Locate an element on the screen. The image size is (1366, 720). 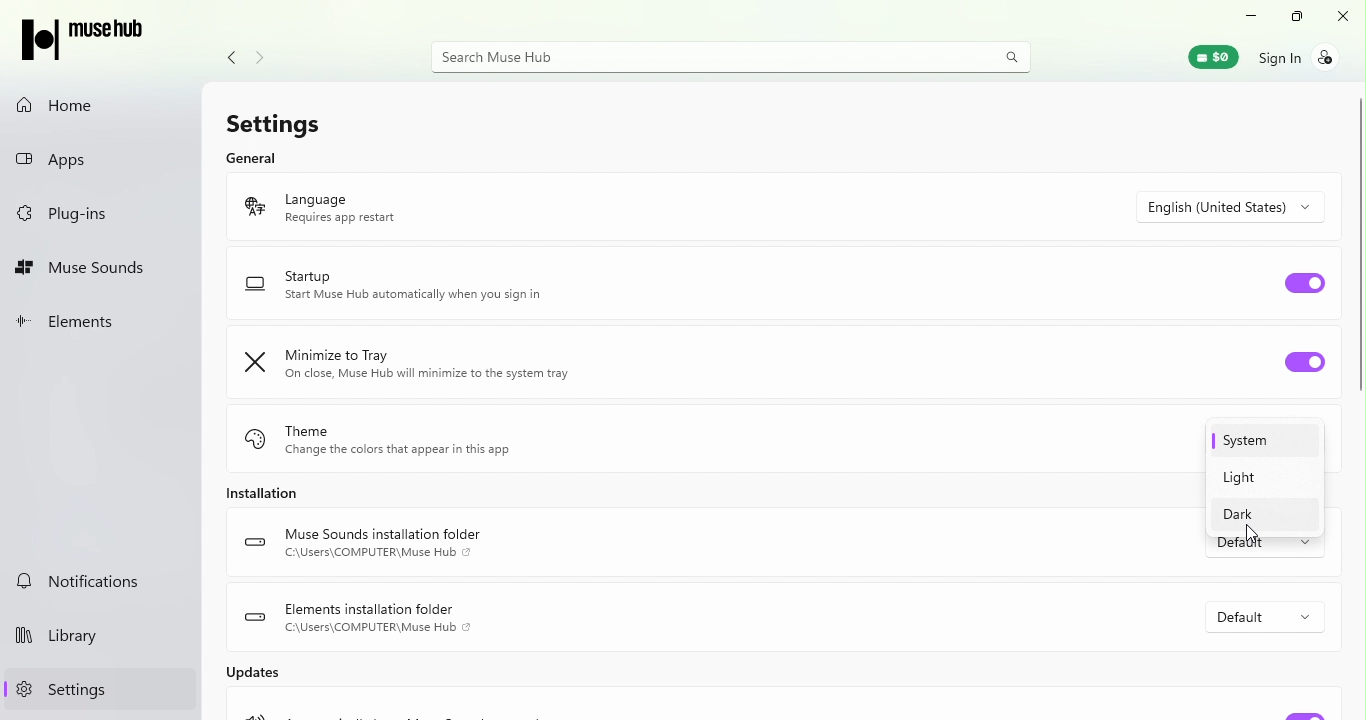
language logo is located at coordinates (251, 209).